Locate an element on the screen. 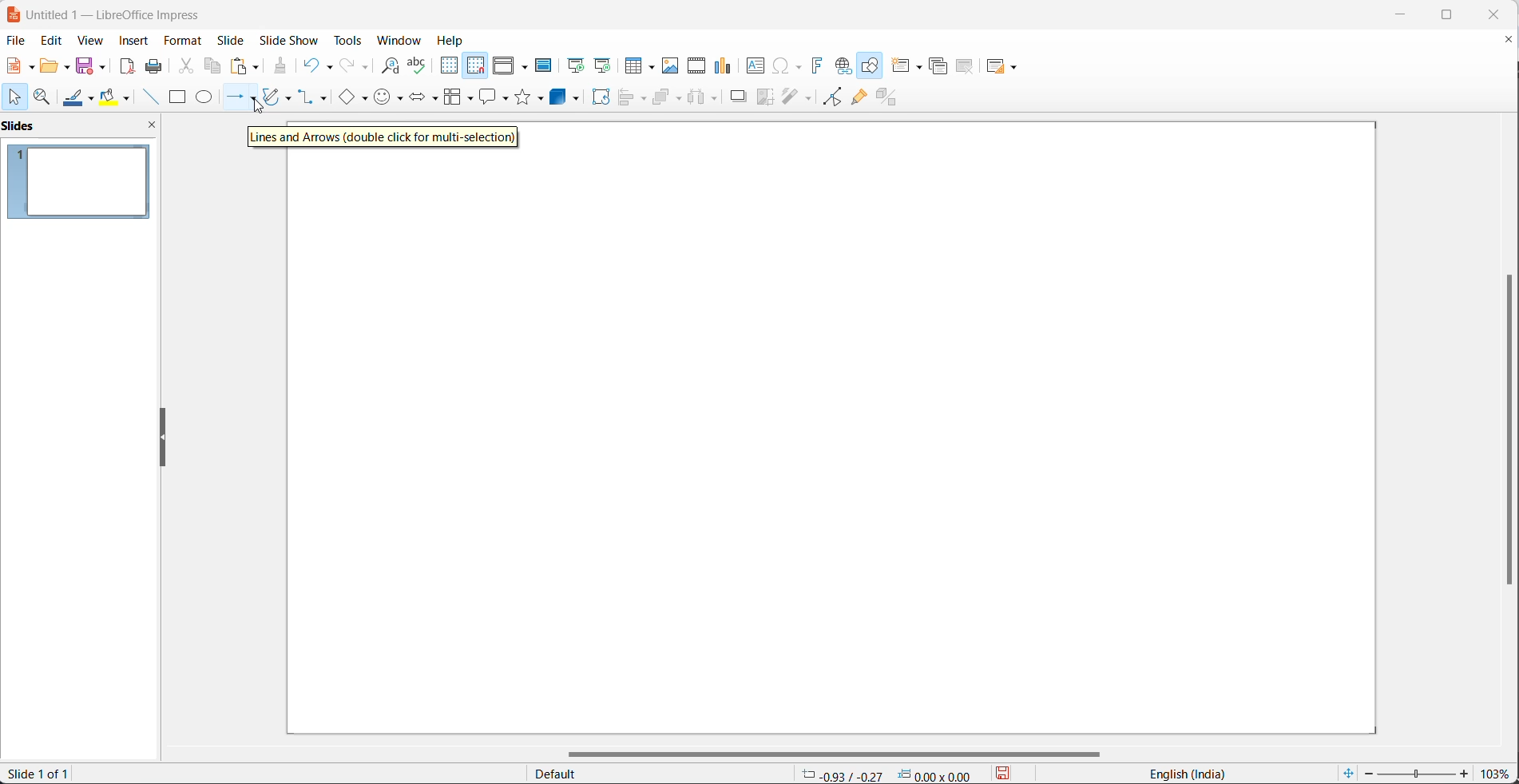  slide preview is located at coordinates (83, 181).